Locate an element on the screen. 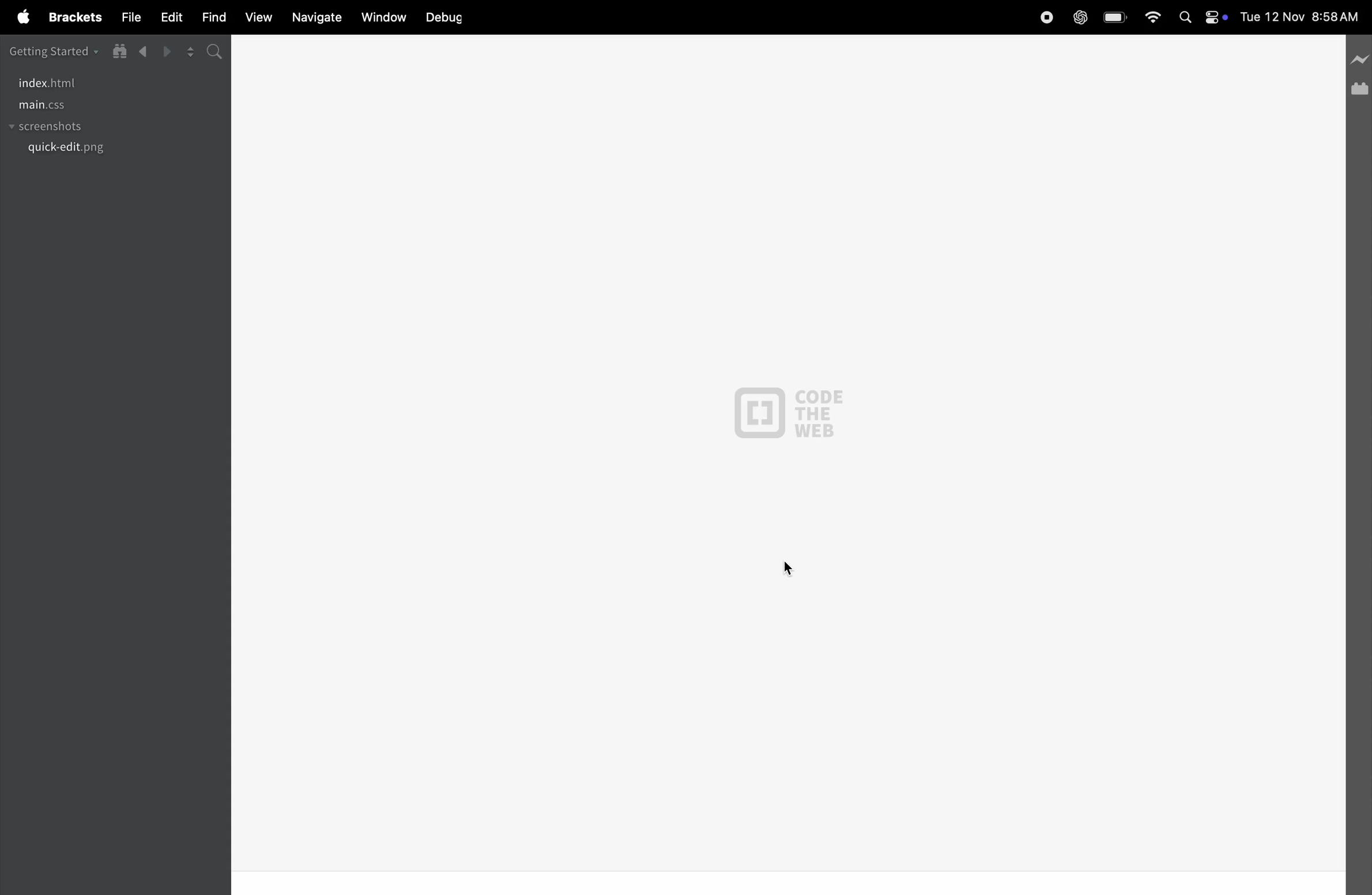 The image size is (1372, 895). forward is located at coordinates (166, 51).